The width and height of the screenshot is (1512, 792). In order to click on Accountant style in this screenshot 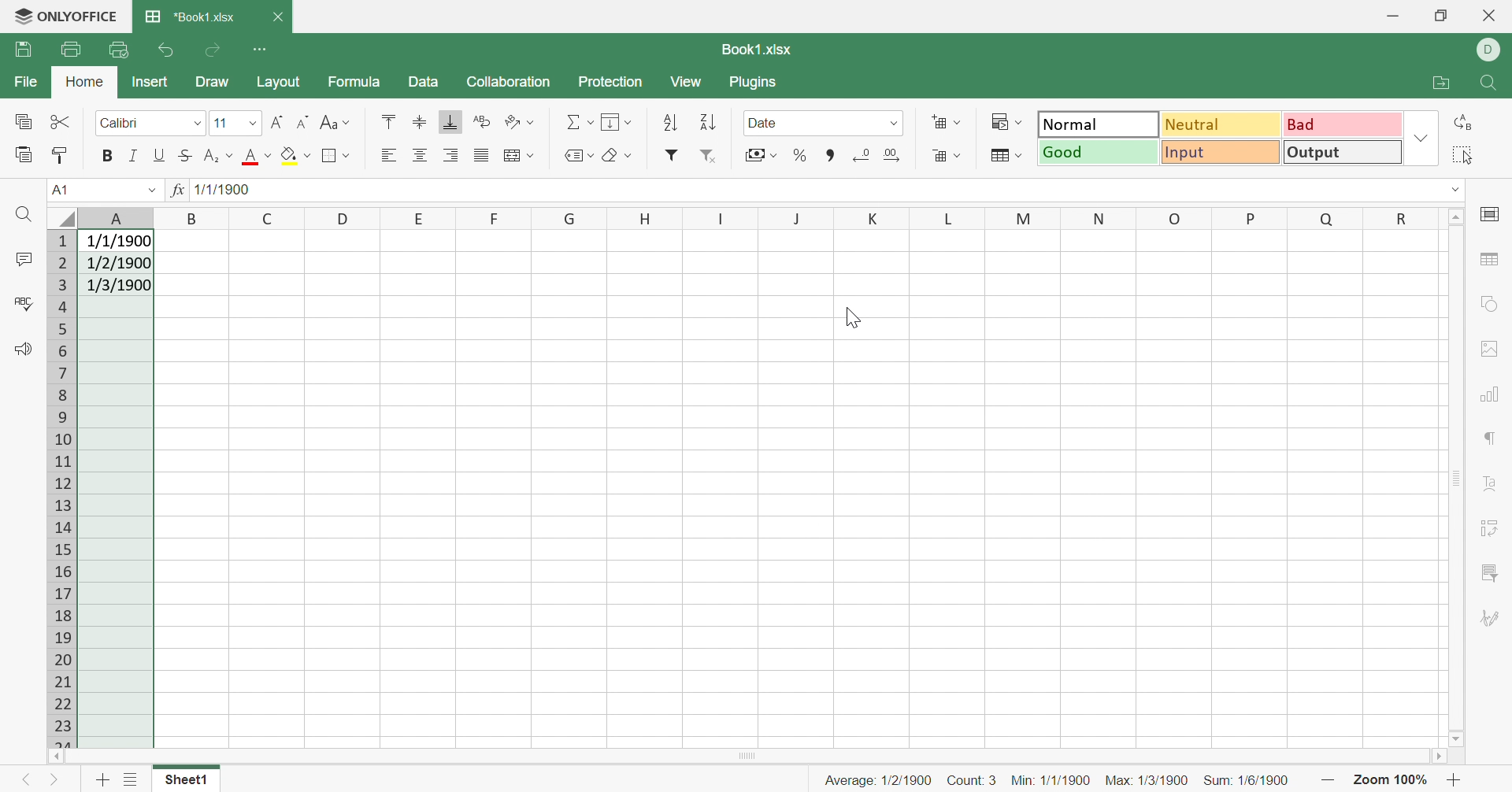, I will do `click(762, 154)`.